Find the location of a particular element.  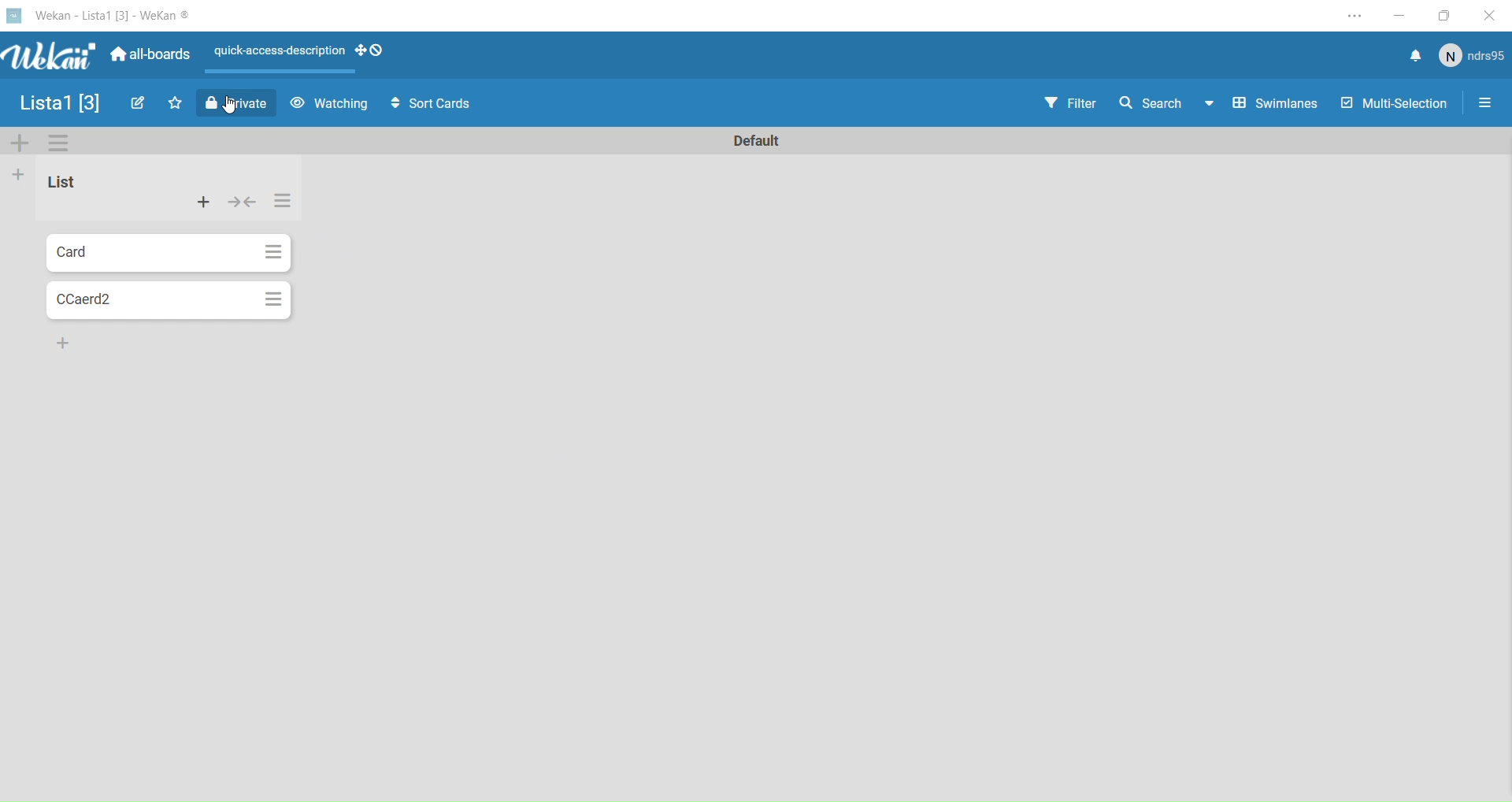

Options is located at coordinates (61, 146).